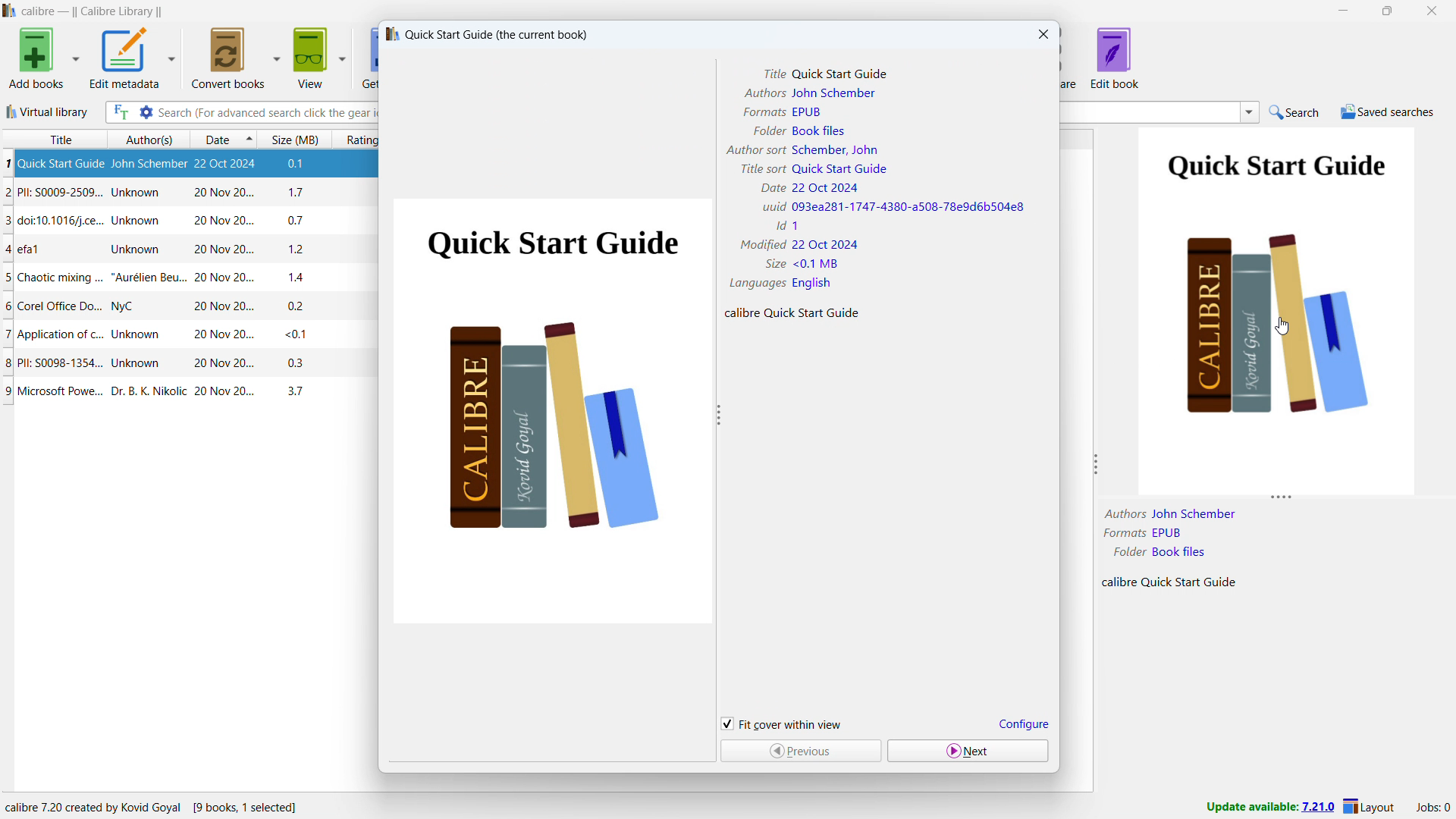 This screenshot has height=819, width=1456. Describe the element at coordinates (140, 193) in the screenshot. I see `Unknown` at that location.